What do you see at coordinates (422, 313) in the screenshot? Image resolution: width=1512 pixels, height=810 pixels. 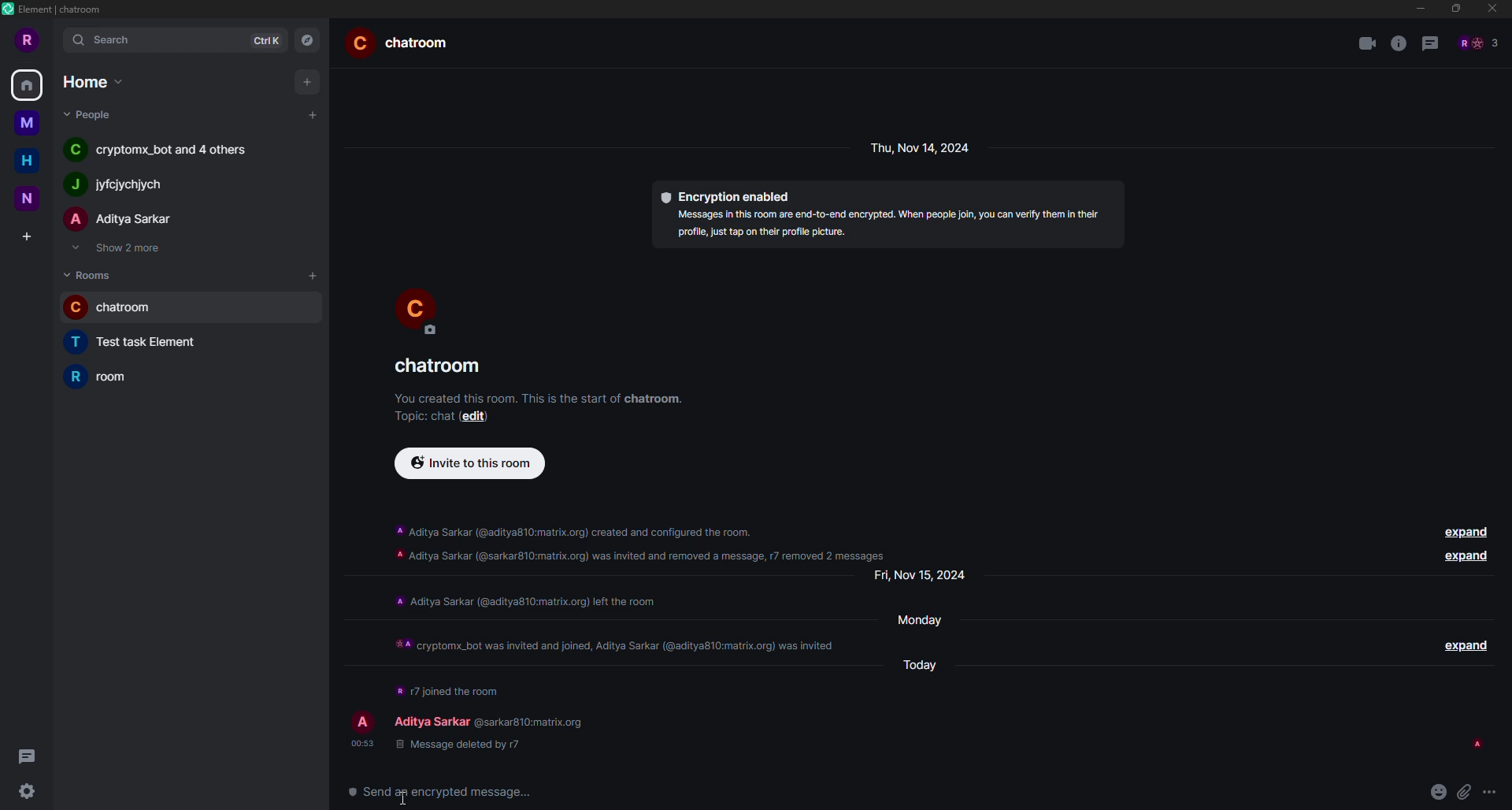 I see `profile` at bounding box center [422, 313].